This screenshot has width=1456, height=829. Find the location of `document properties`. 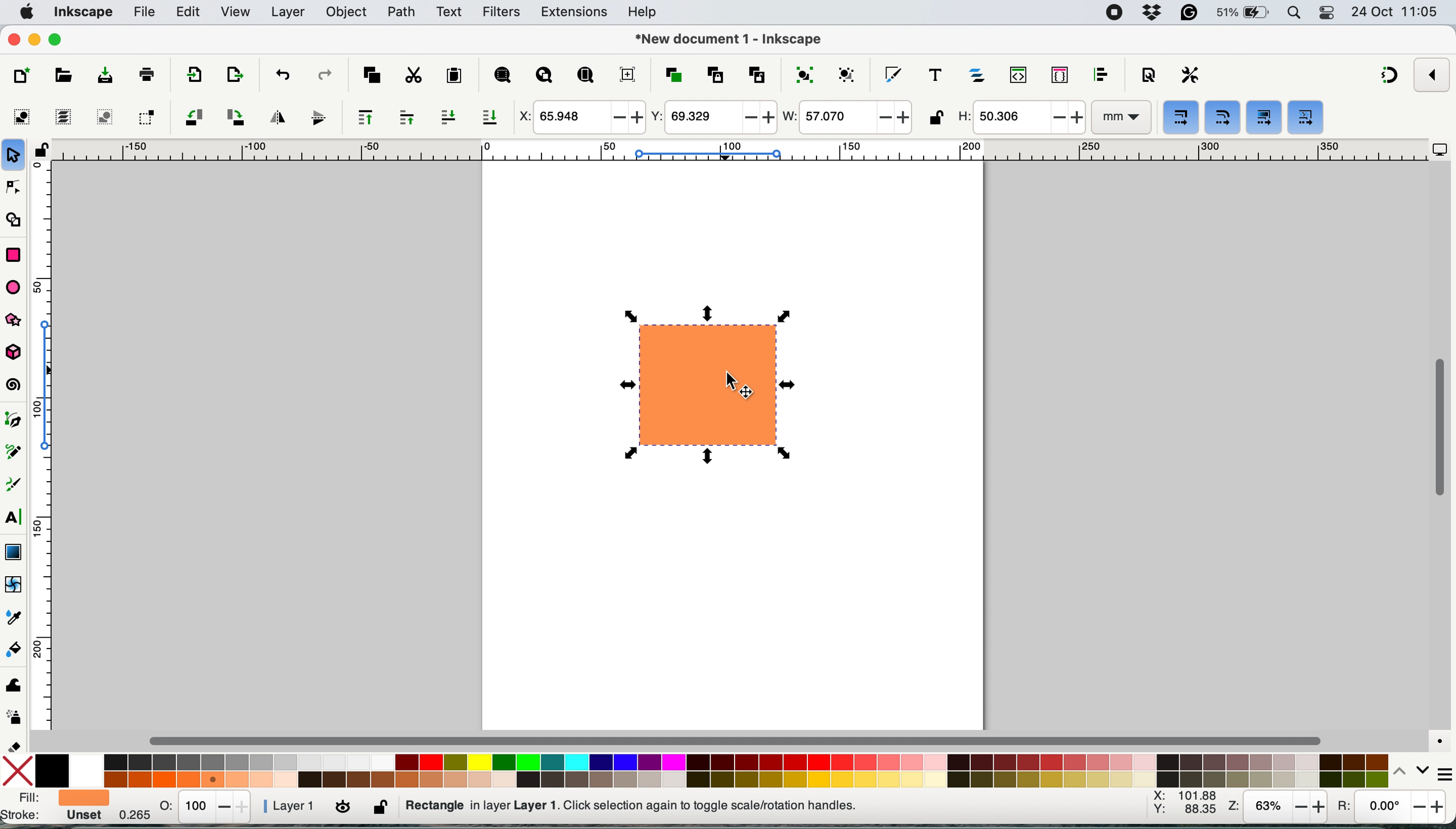

document properties is located at coordinates (1148, 76).